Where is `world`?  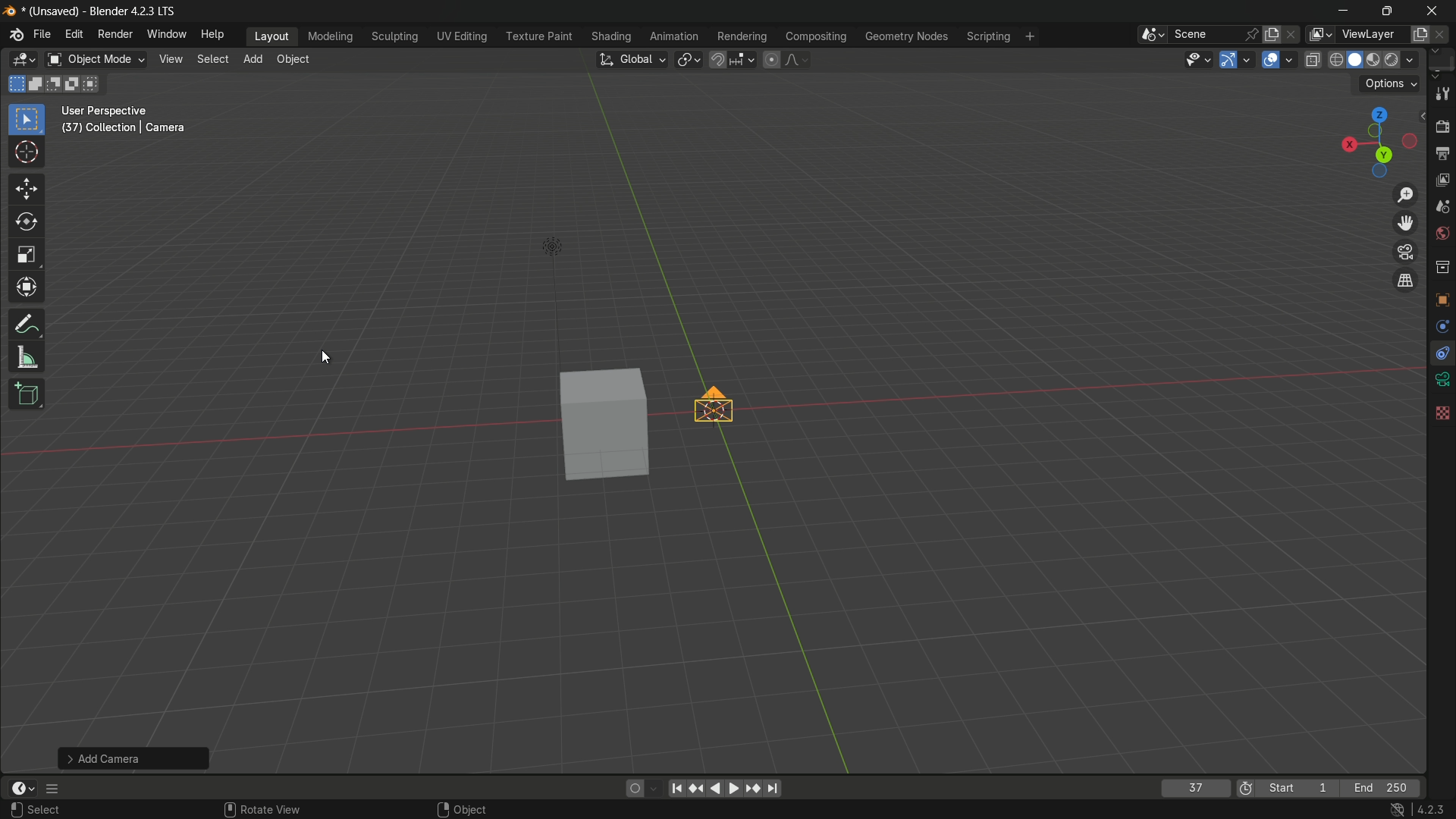
world is located at coordinates (1441, 235).